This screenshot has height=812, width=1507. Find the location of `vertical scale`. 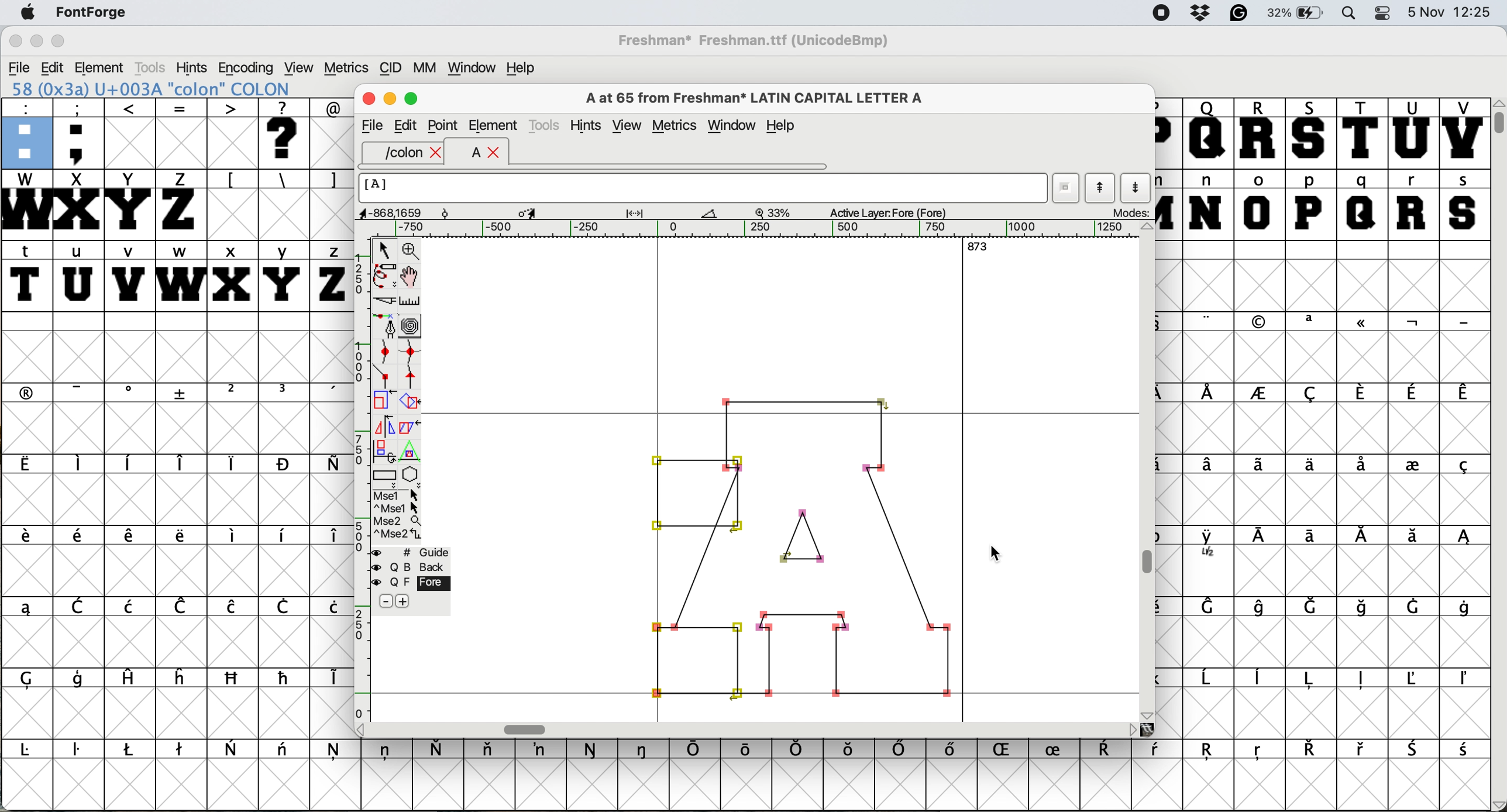

vertical scale is located at coordinates (357, 483).